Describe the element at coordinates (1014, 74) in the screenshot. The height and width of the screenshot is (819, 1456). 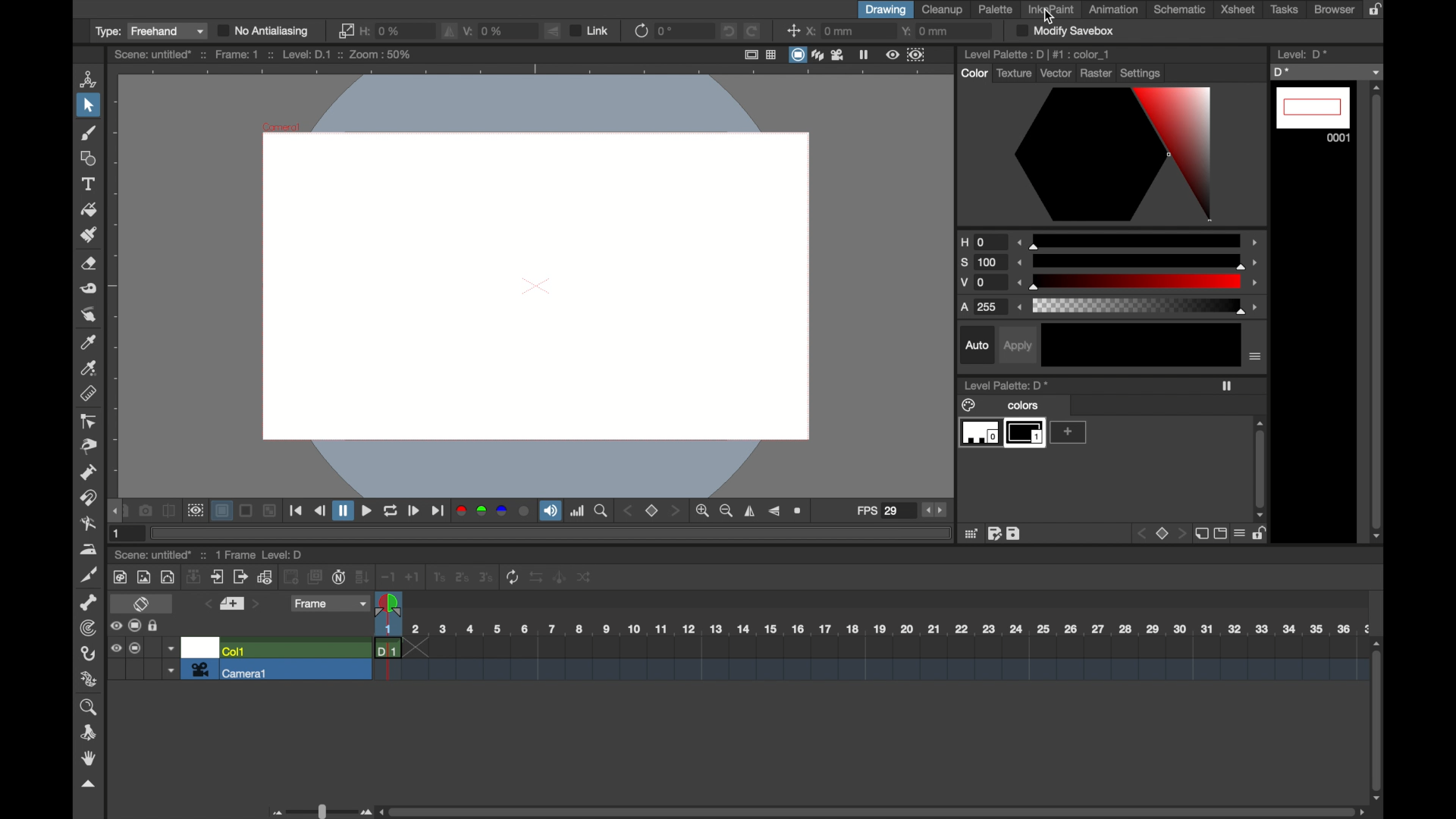
I see `texture` at that location.